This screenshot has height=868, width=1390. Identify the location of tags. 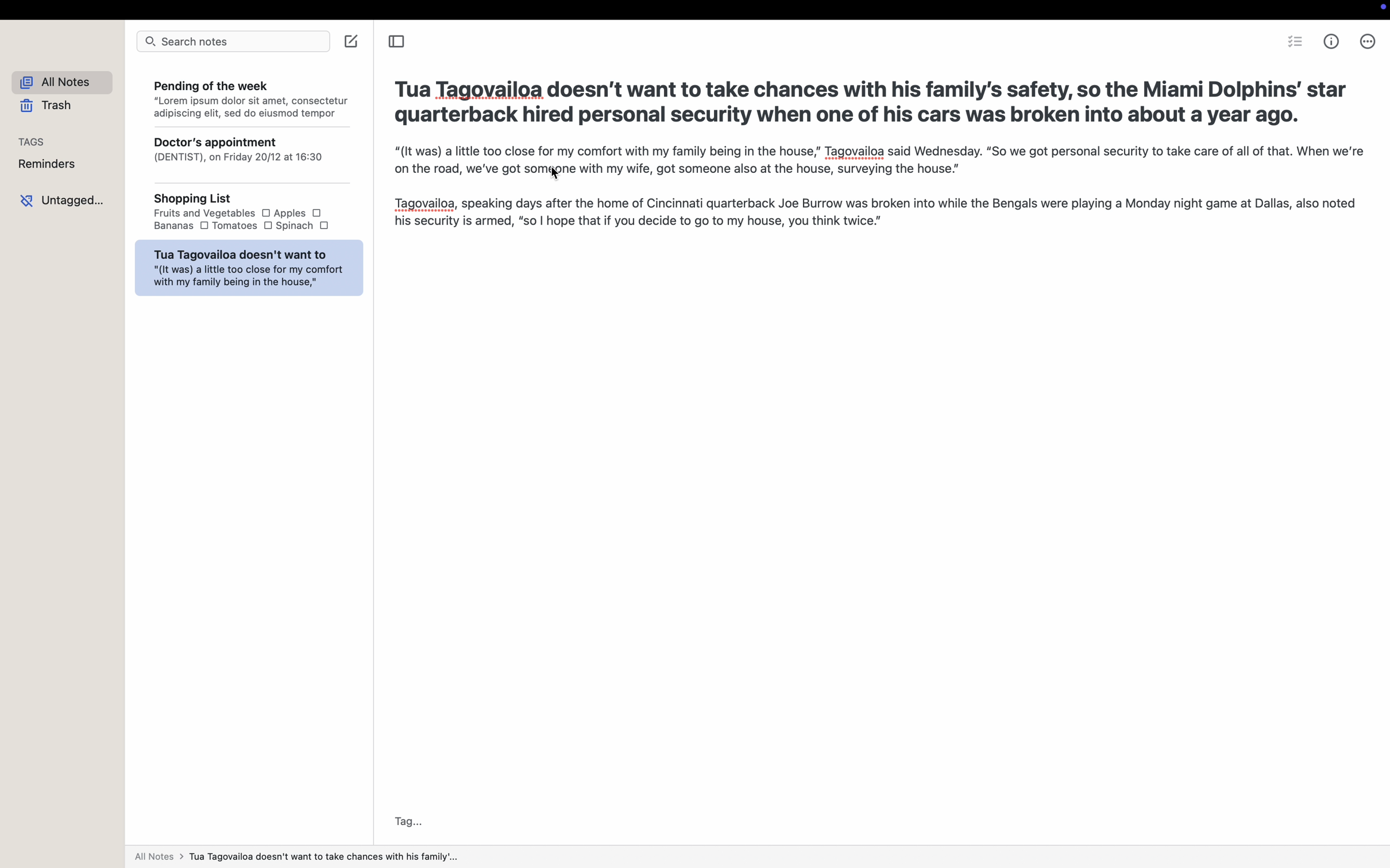
(33, 141).